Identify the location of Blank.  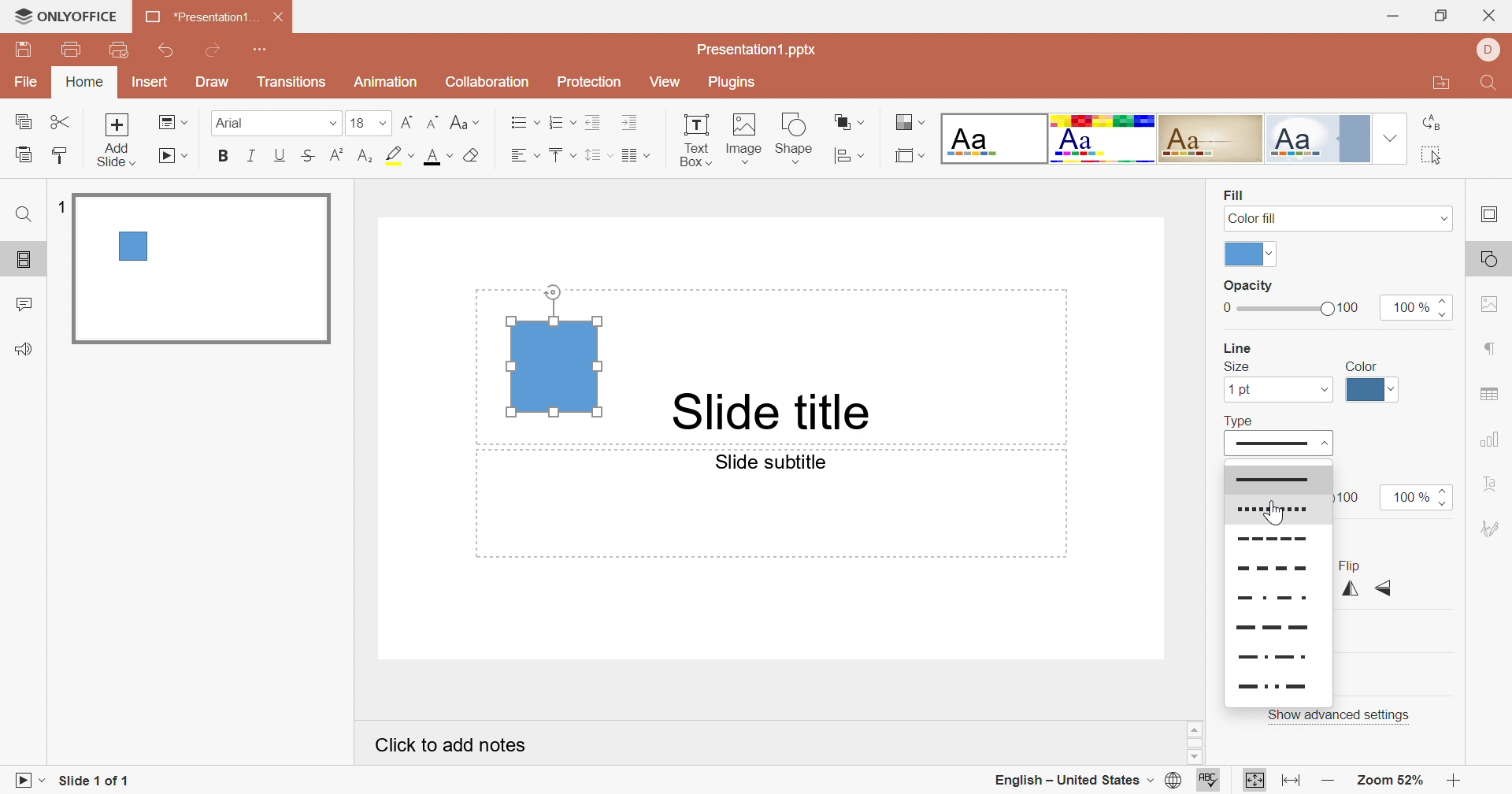
(993, 140).